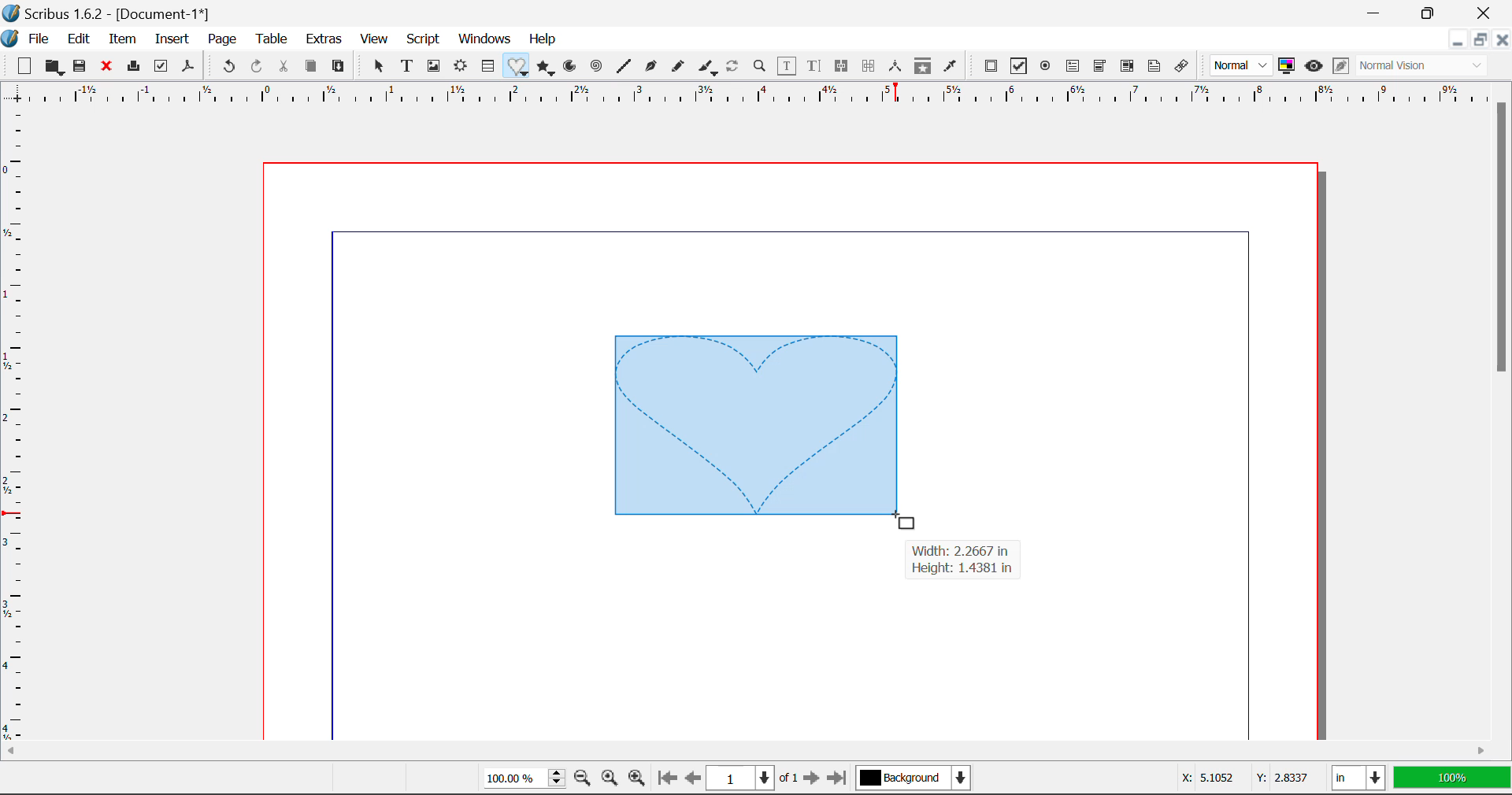  I want to click on First Page, so click(667, 778).